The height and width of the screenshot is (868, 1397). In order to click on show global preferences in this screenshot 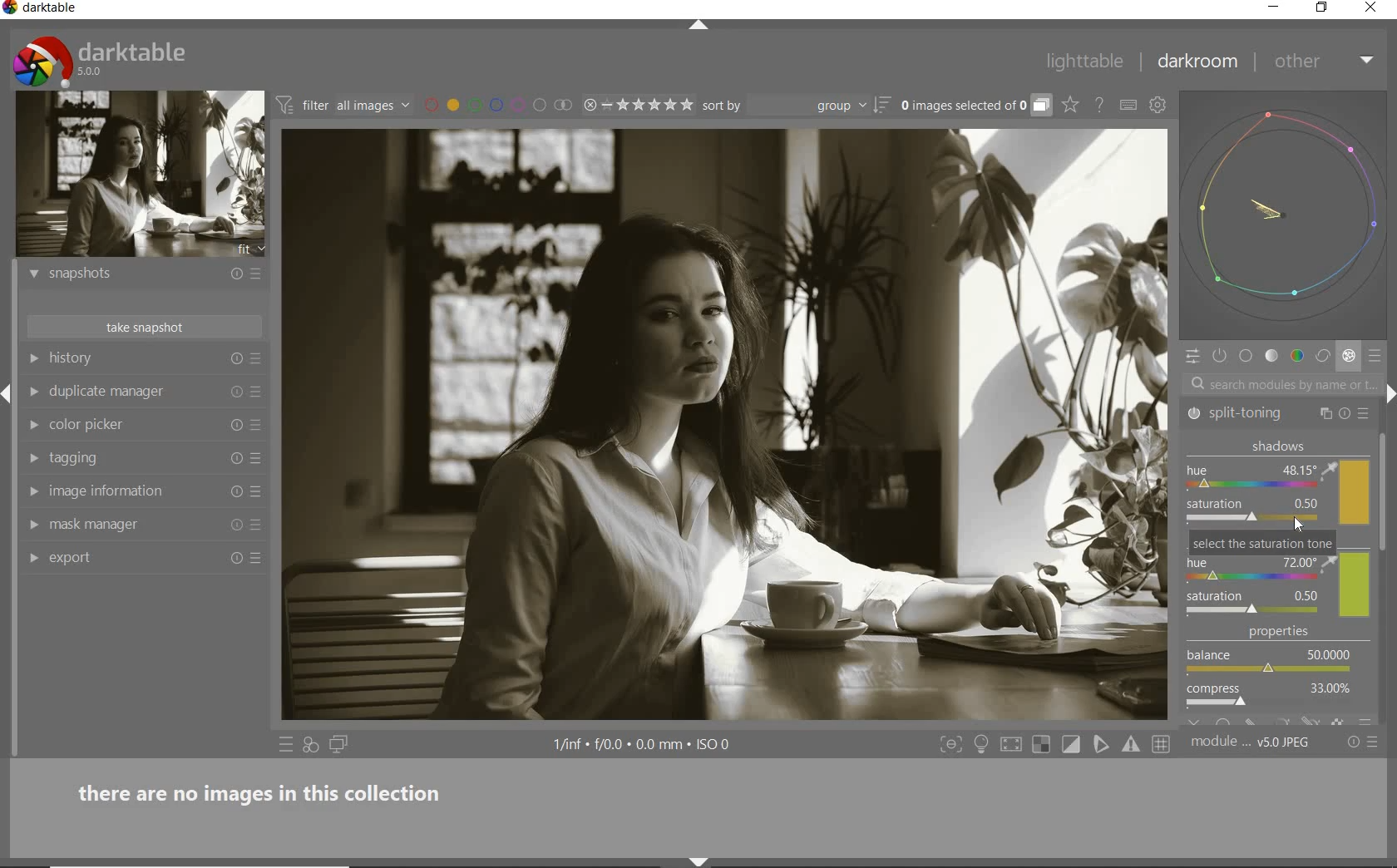, I will do `click(1158, 107)`.